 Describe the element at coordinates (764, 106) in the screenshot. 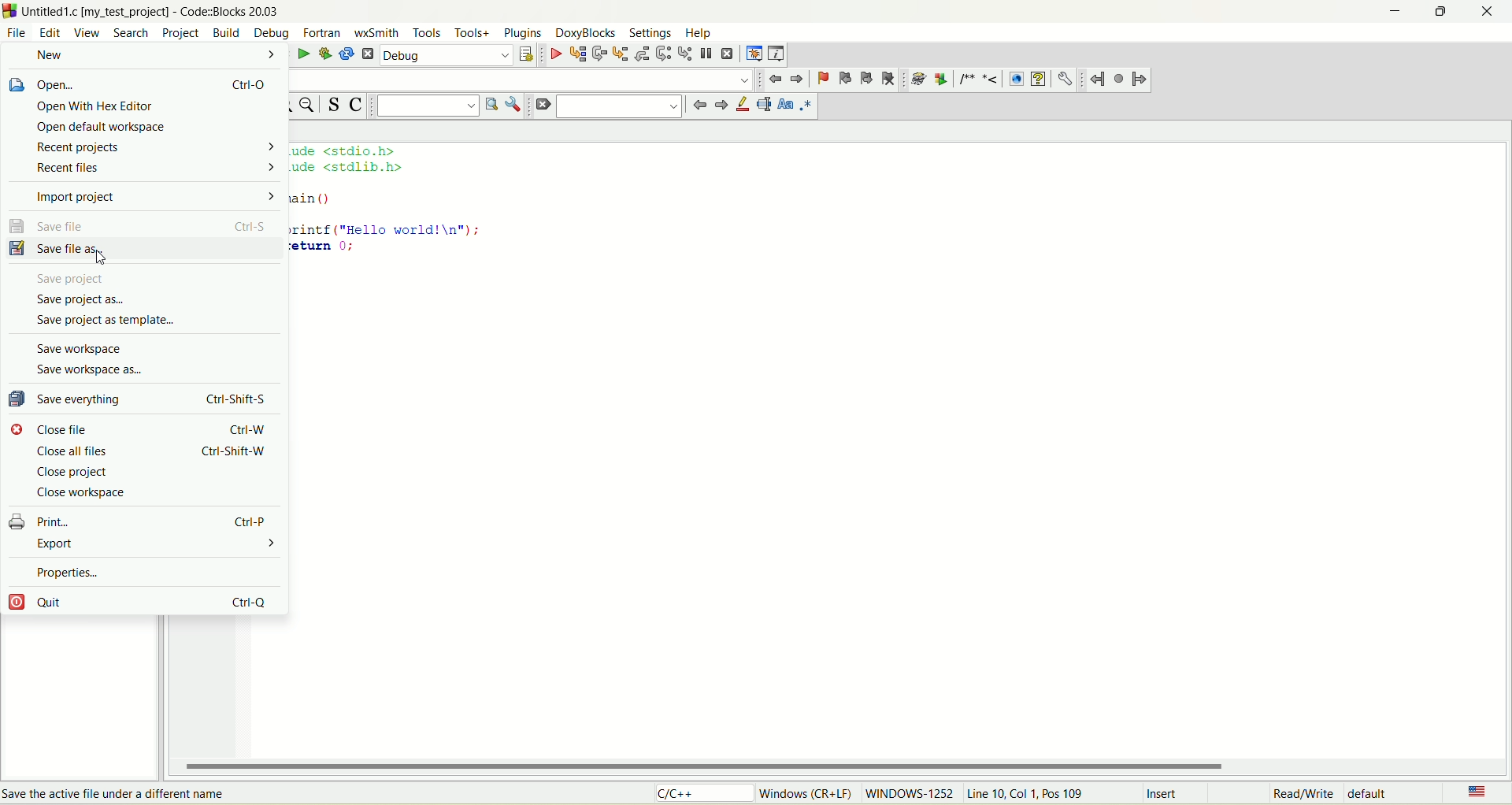

I see `selected text` at that location.